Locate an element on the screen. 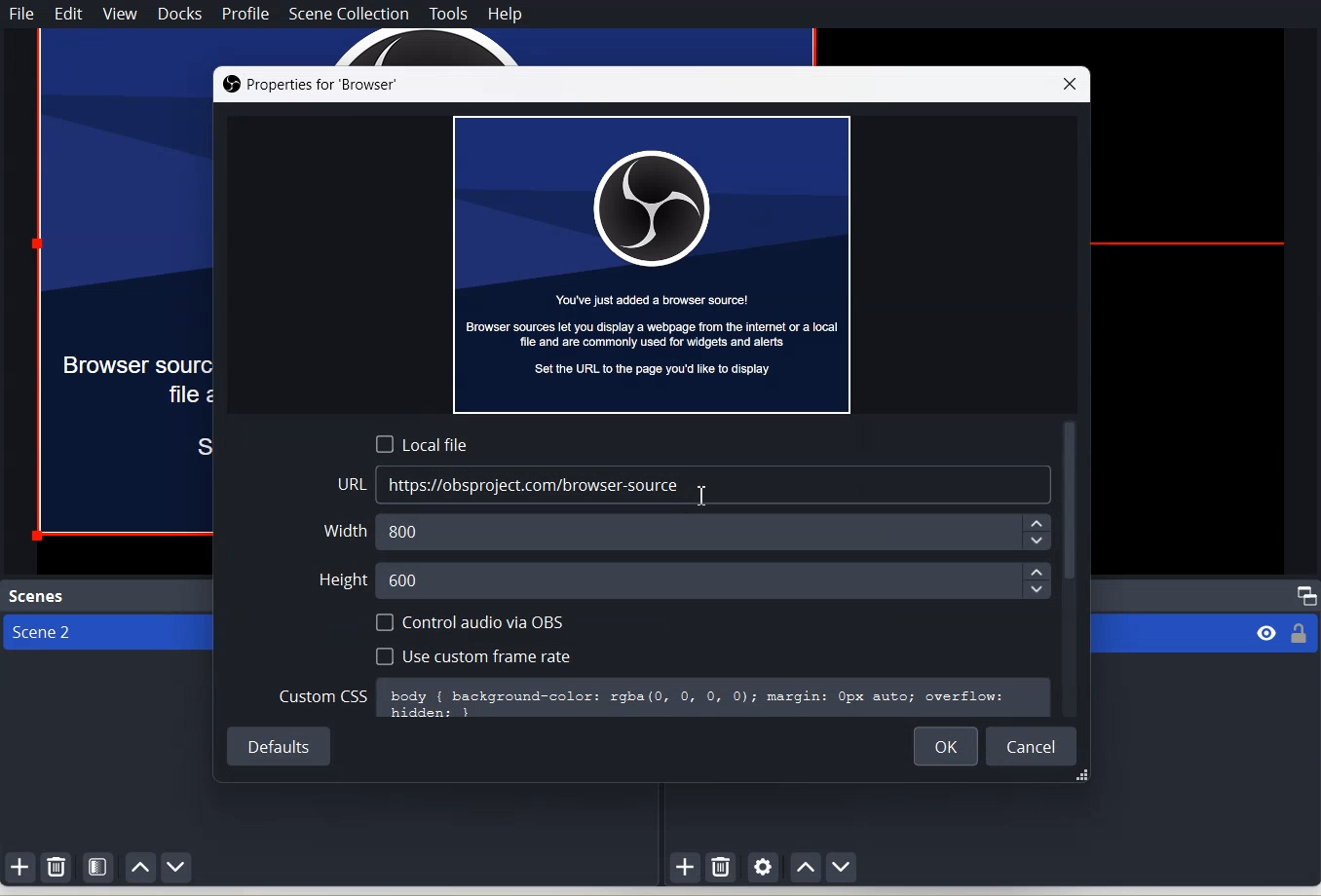 The image size is (1321, 896). Custom CSS is located at coordinates (323, 695).